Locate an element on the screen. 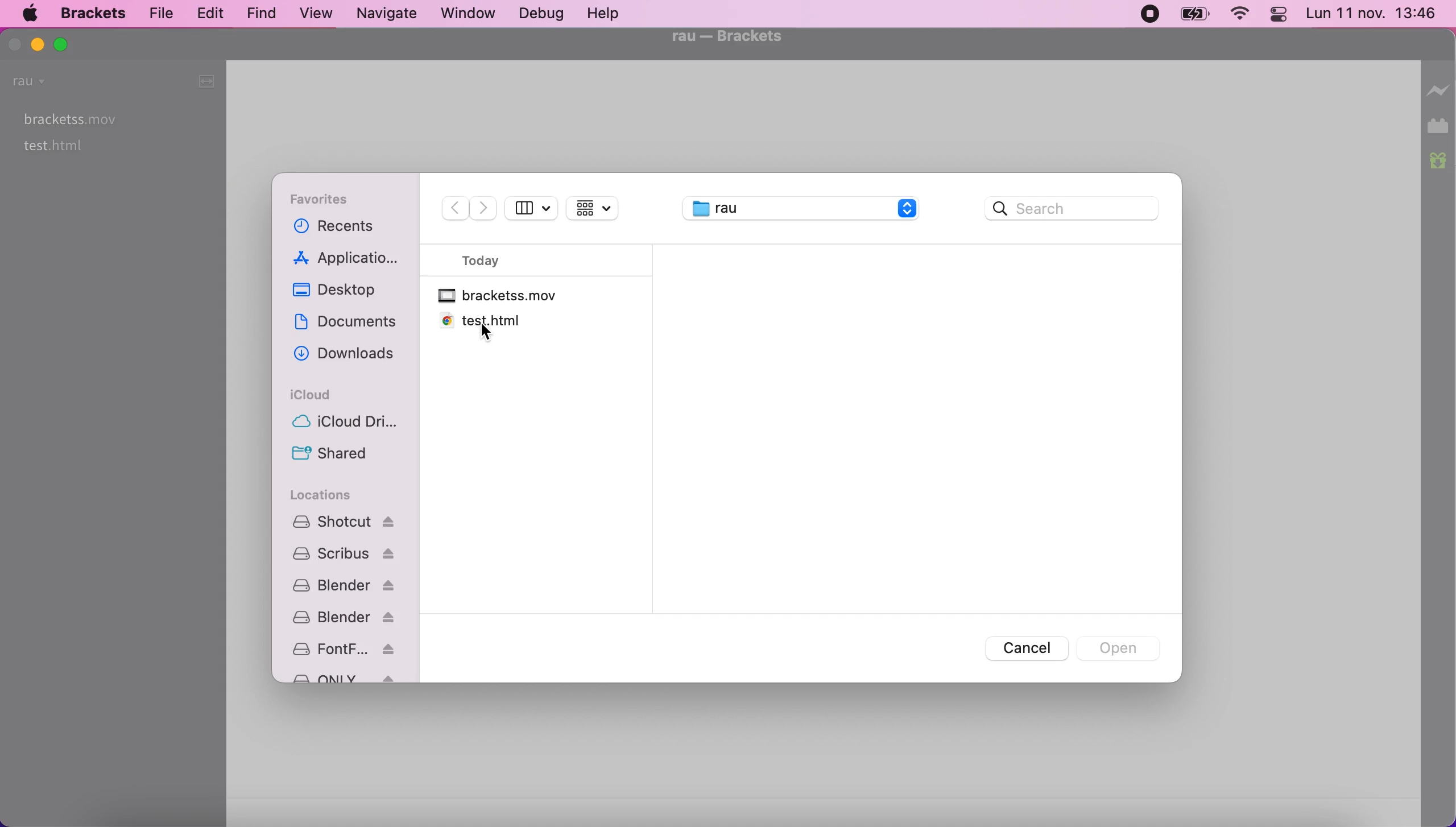  locations is located at coordinates (333, 495).